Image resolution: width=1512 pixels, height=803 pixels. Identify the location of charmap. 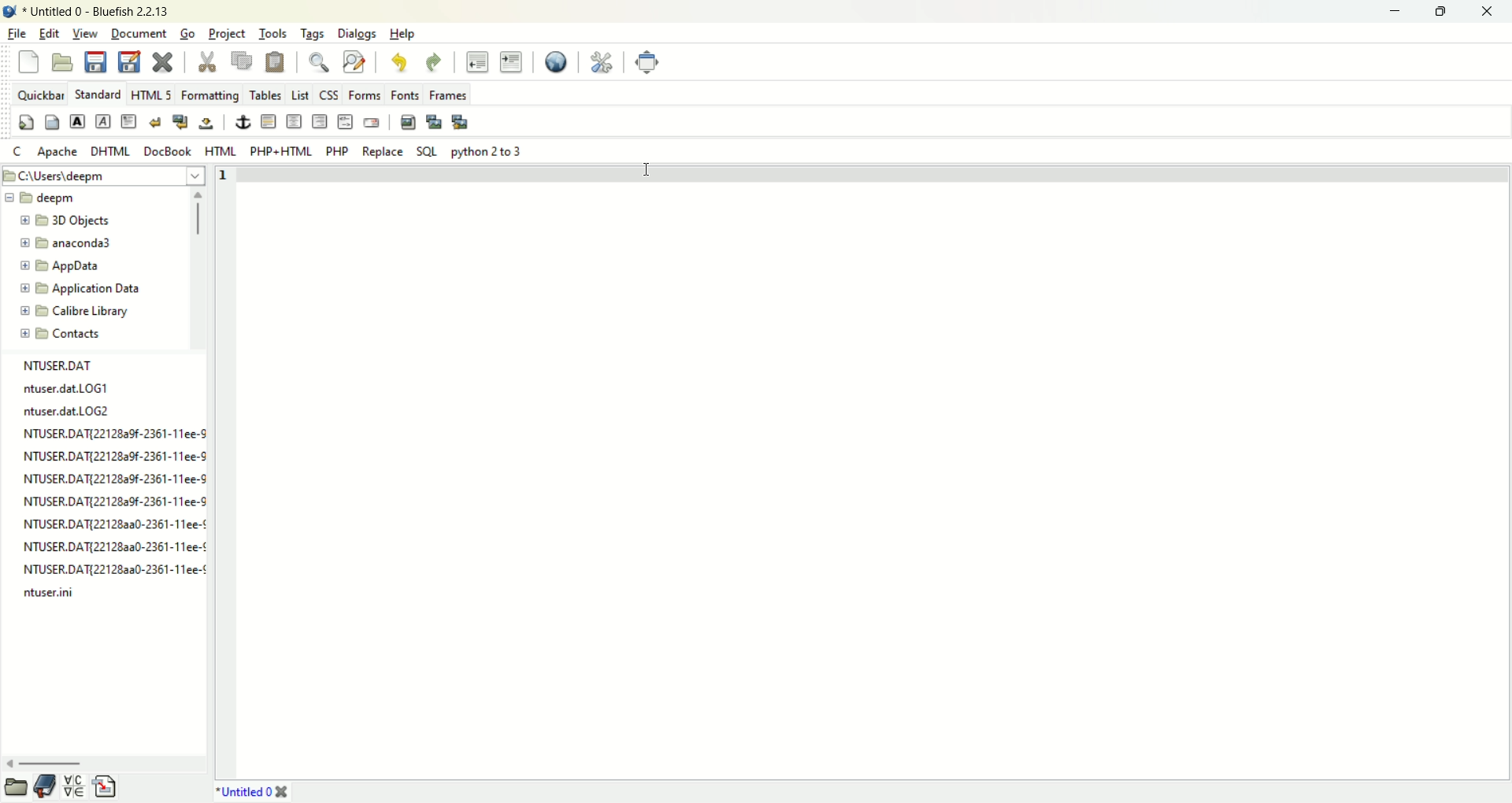
(77, 788).